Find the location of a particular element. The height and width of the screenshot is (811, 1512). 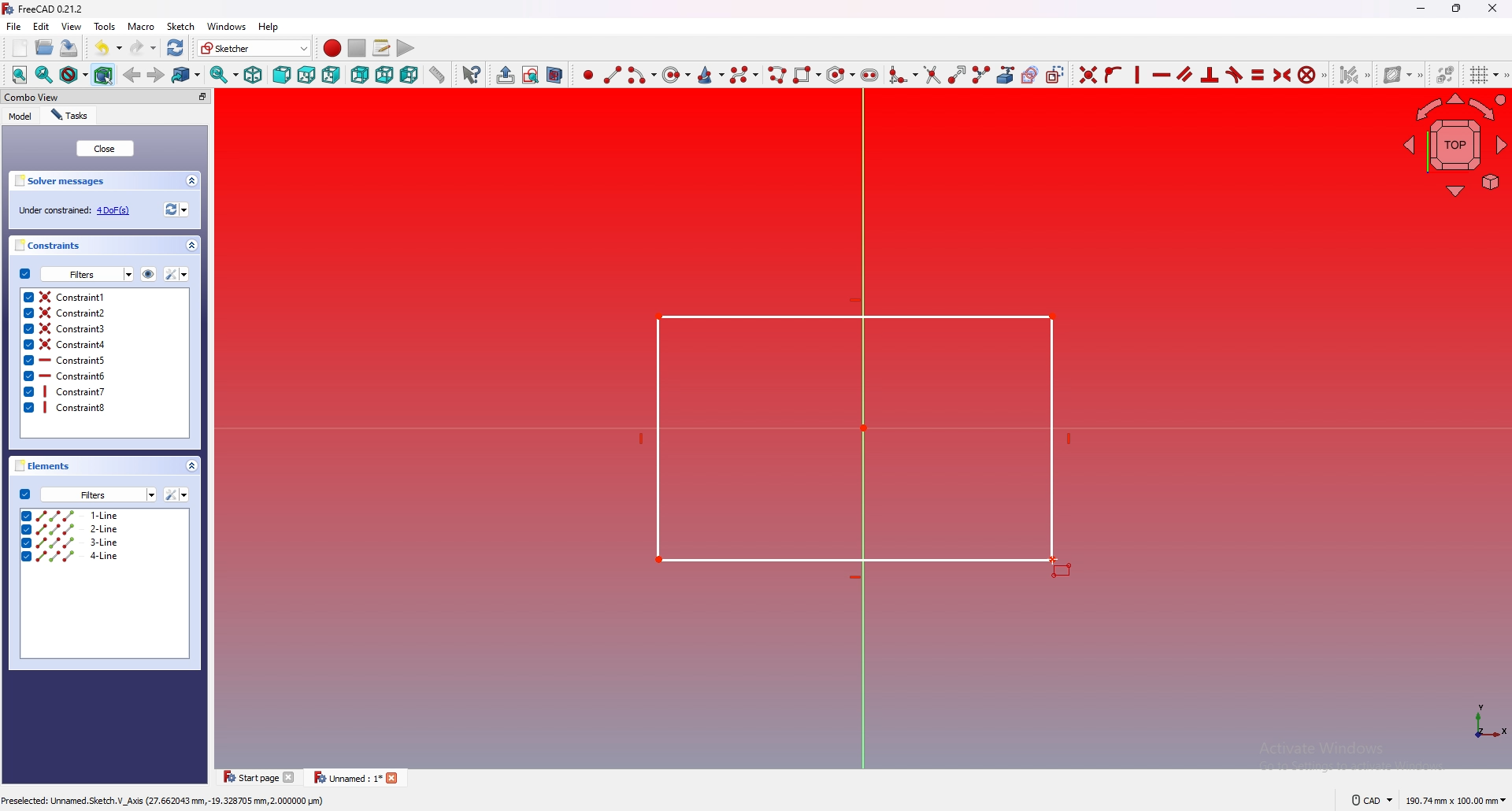

view sketch is located at coordinates (532, 75).